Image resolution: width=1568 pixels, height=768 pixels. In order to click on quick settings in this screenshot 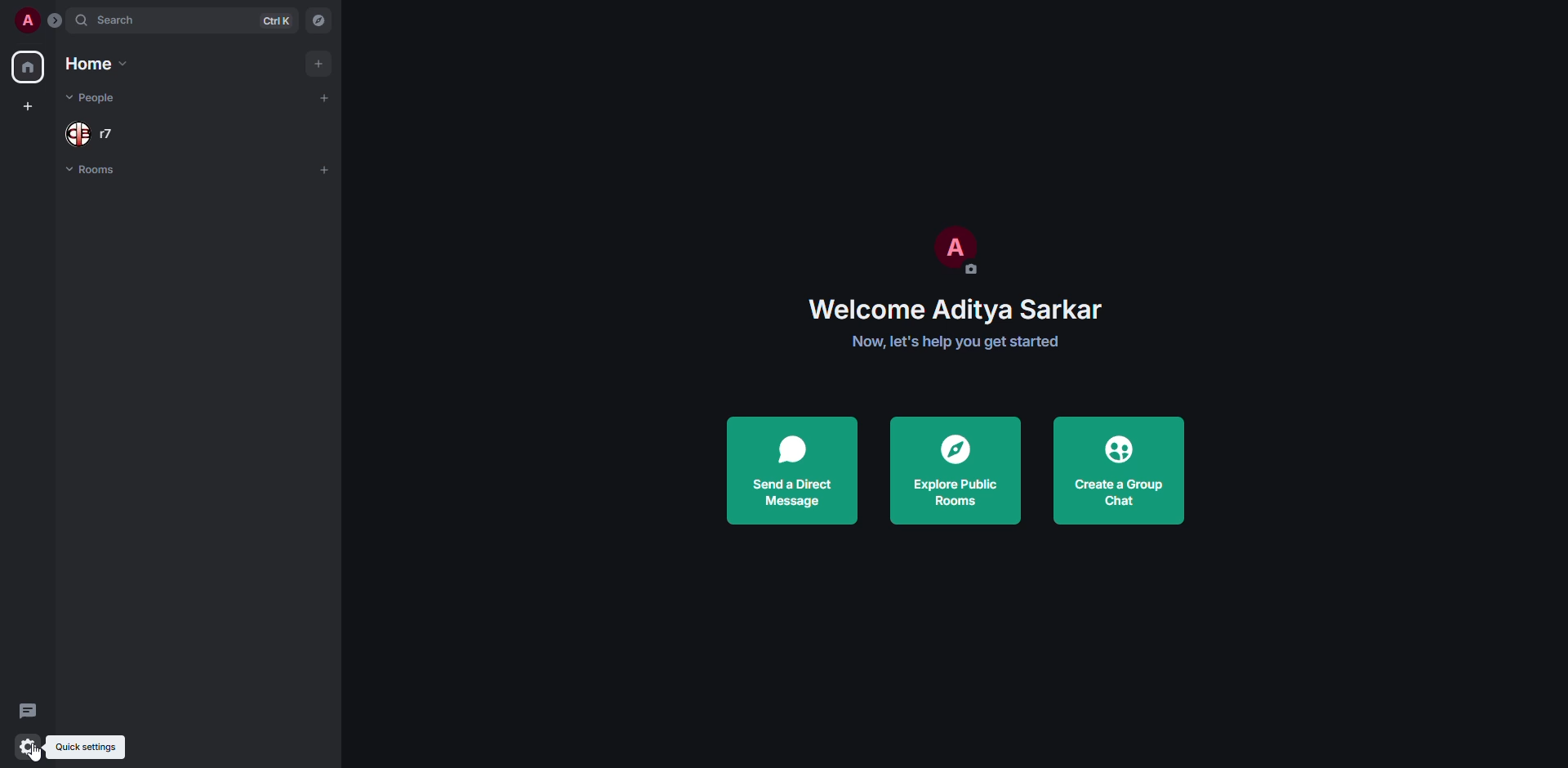, I will do `click(86, 747)`.